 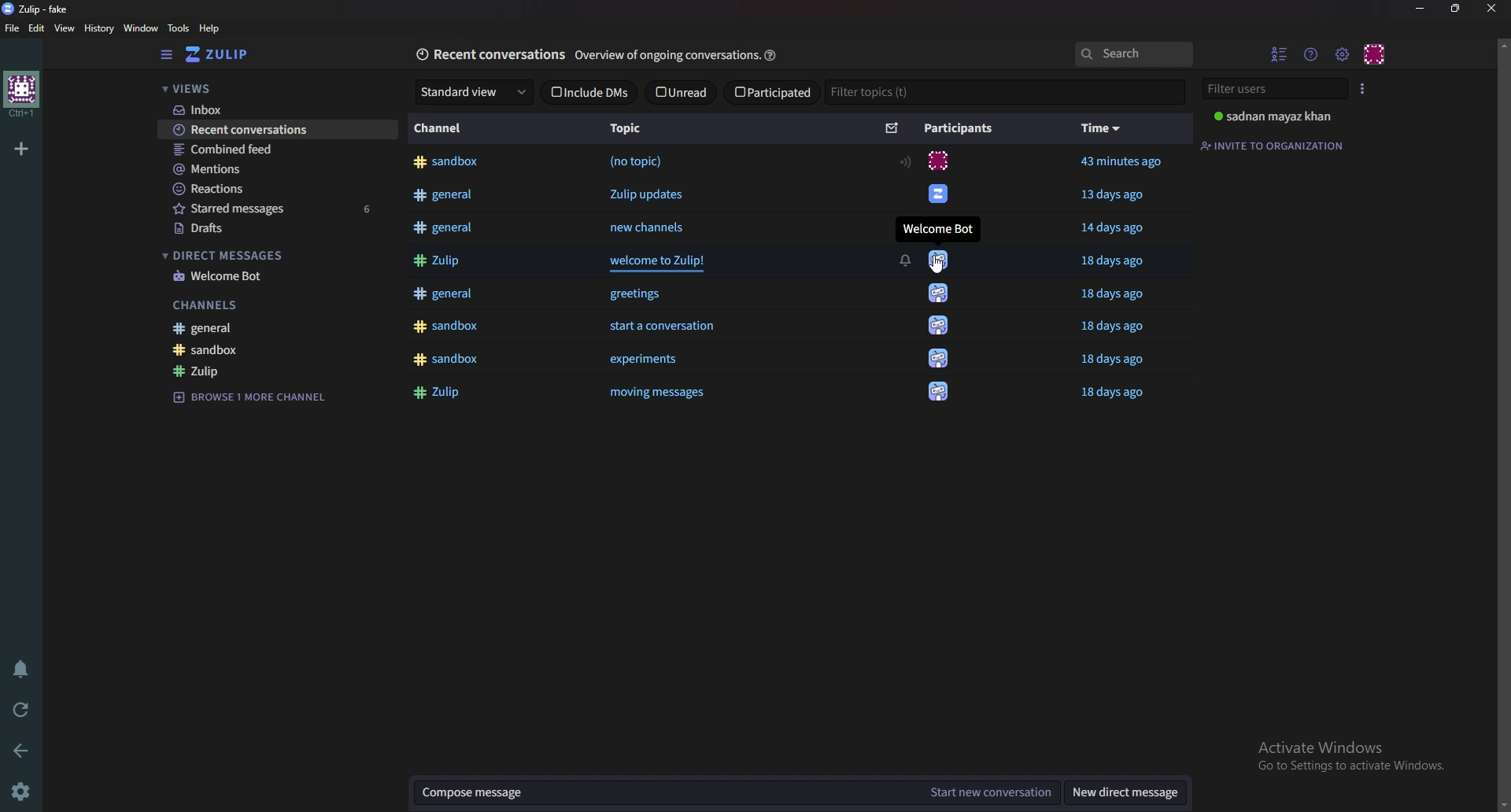 What do you see at coordinates (1310, 55) in the screenshot?
I see `help menu` at bounding box center [1310, 55].